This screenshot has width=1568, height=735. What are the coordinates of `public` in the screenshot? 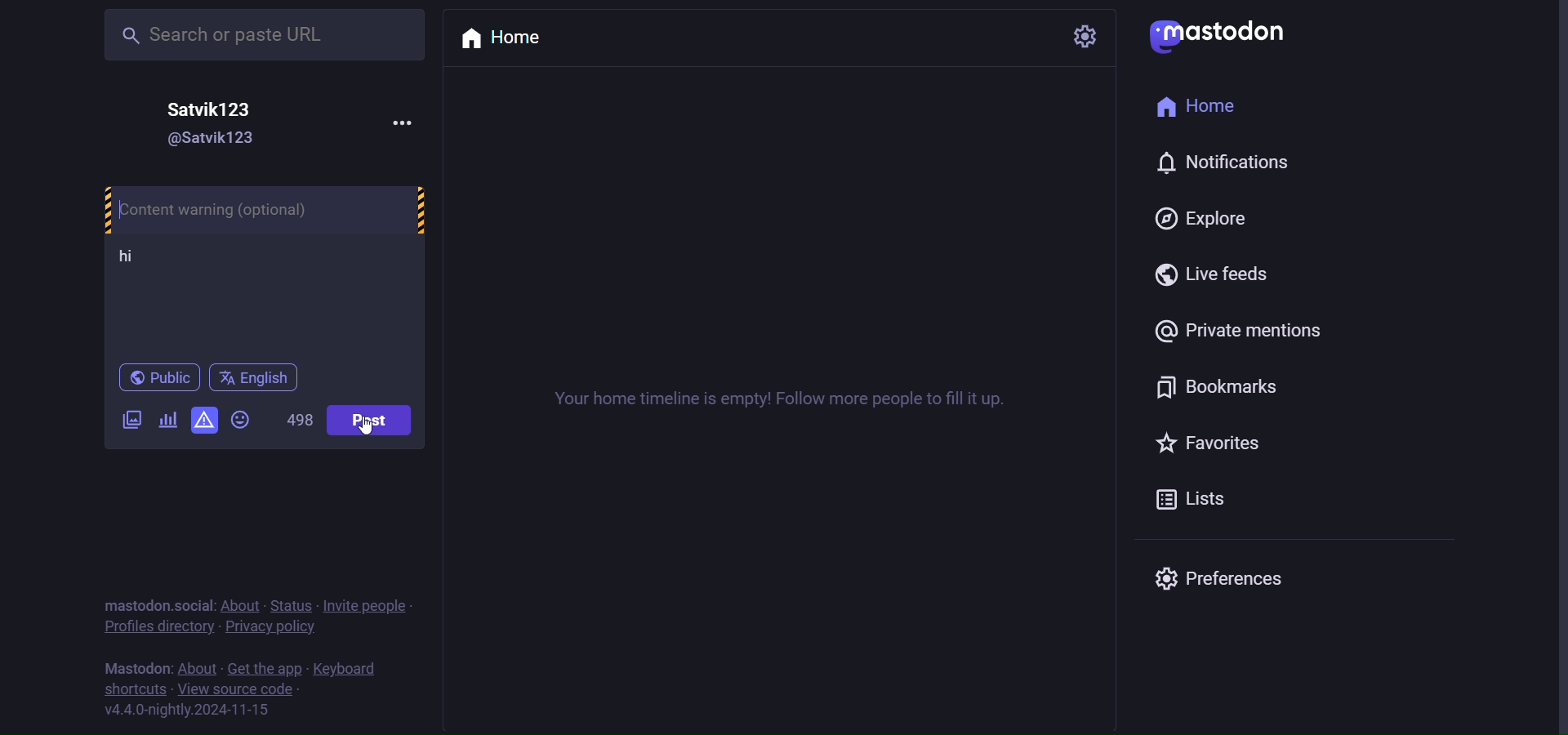 It's located at (163, 378).